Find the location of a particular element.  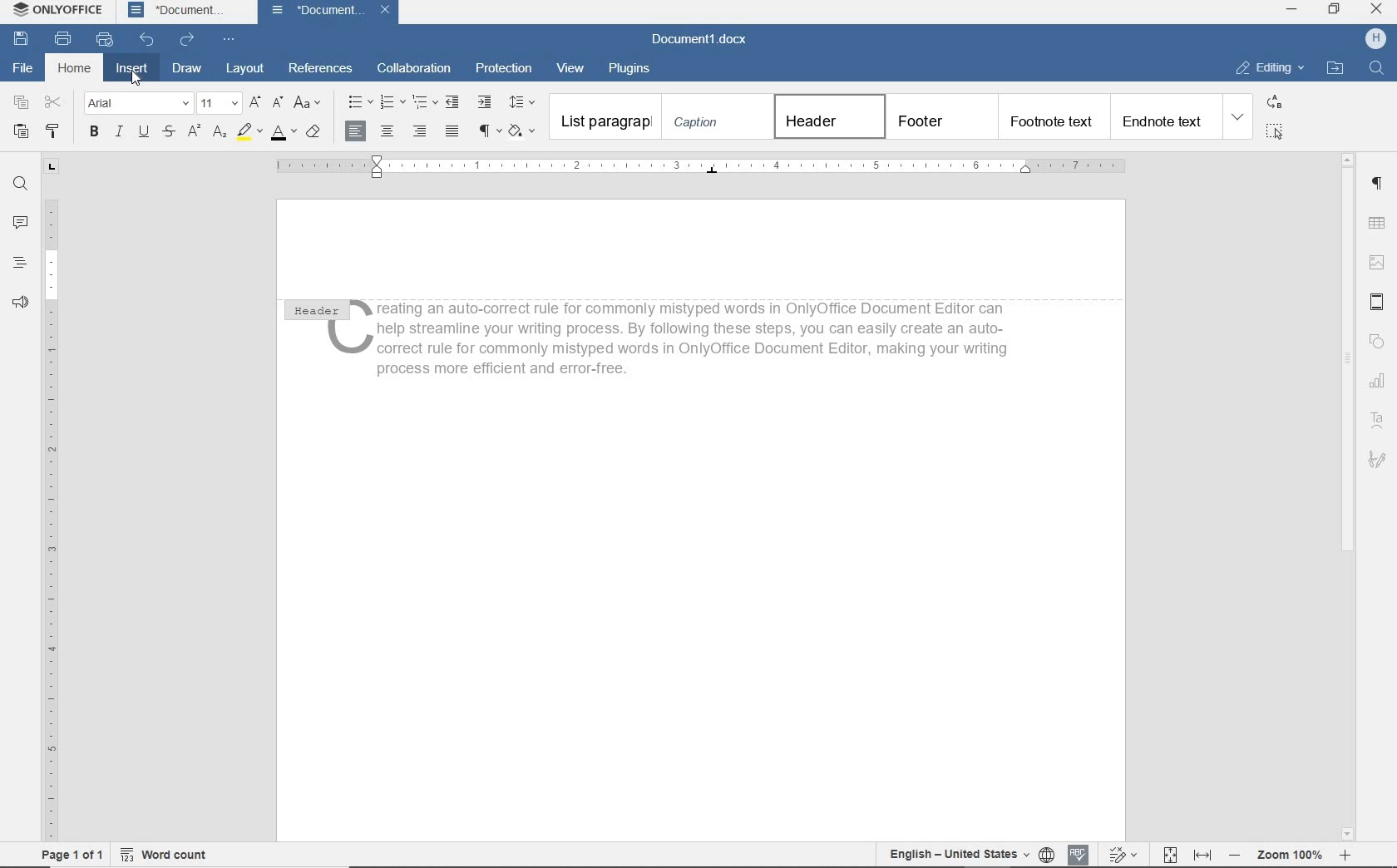

CHANGE CASE is located at coordinates (309, 104).